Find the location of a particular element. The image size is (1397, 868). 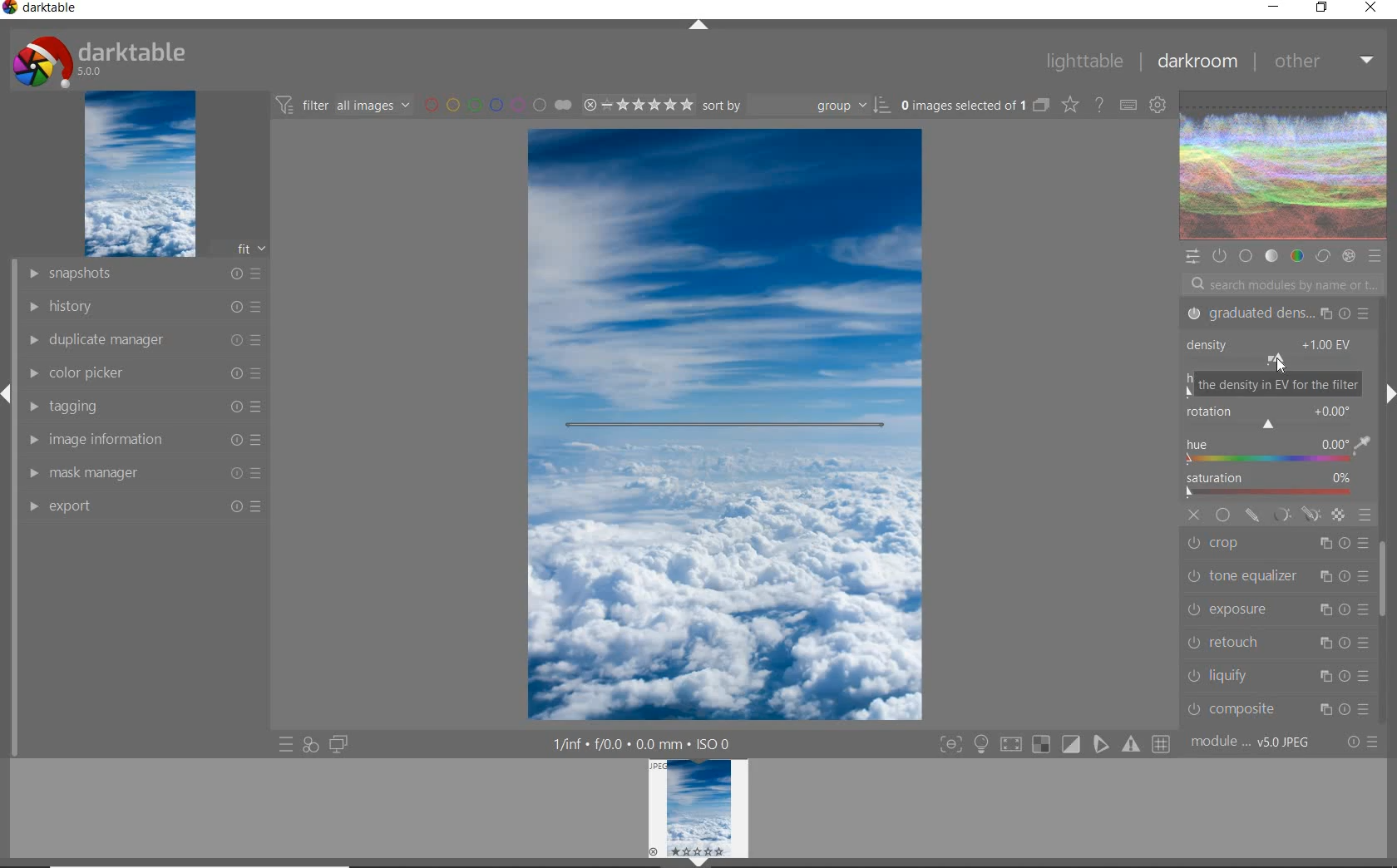

DEFINE KEYBOARD SHORTCUT is located at coordinates (1128, 106).